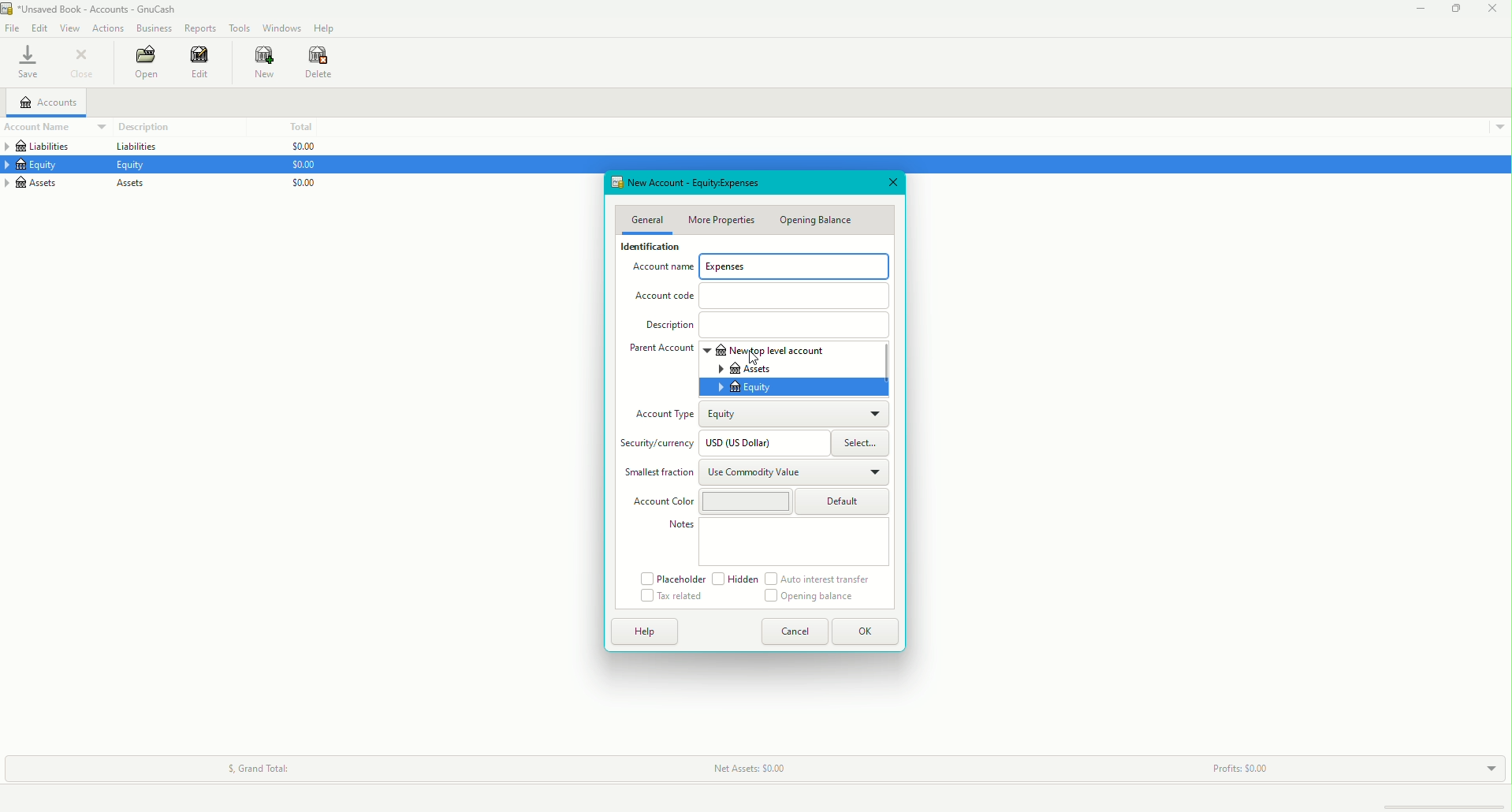 Image resolution: width=1512 pixels, height=812 pixels. Describe the element at coordinates (1455, 12) in the screenshot. I see `Restore` at that location.